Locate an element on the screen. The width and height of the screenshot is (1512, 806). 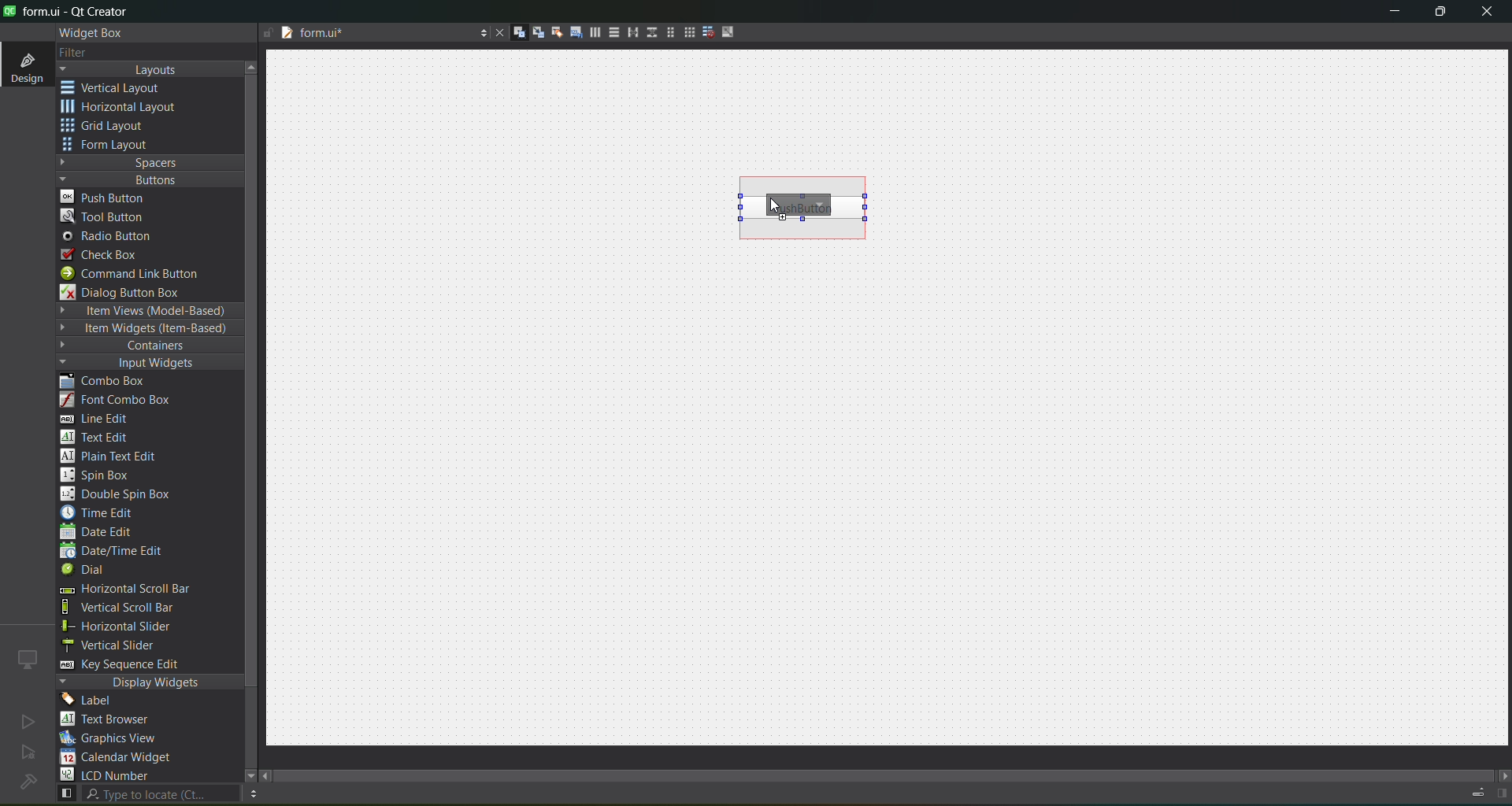
break layout is located at coordinates (704, 33).